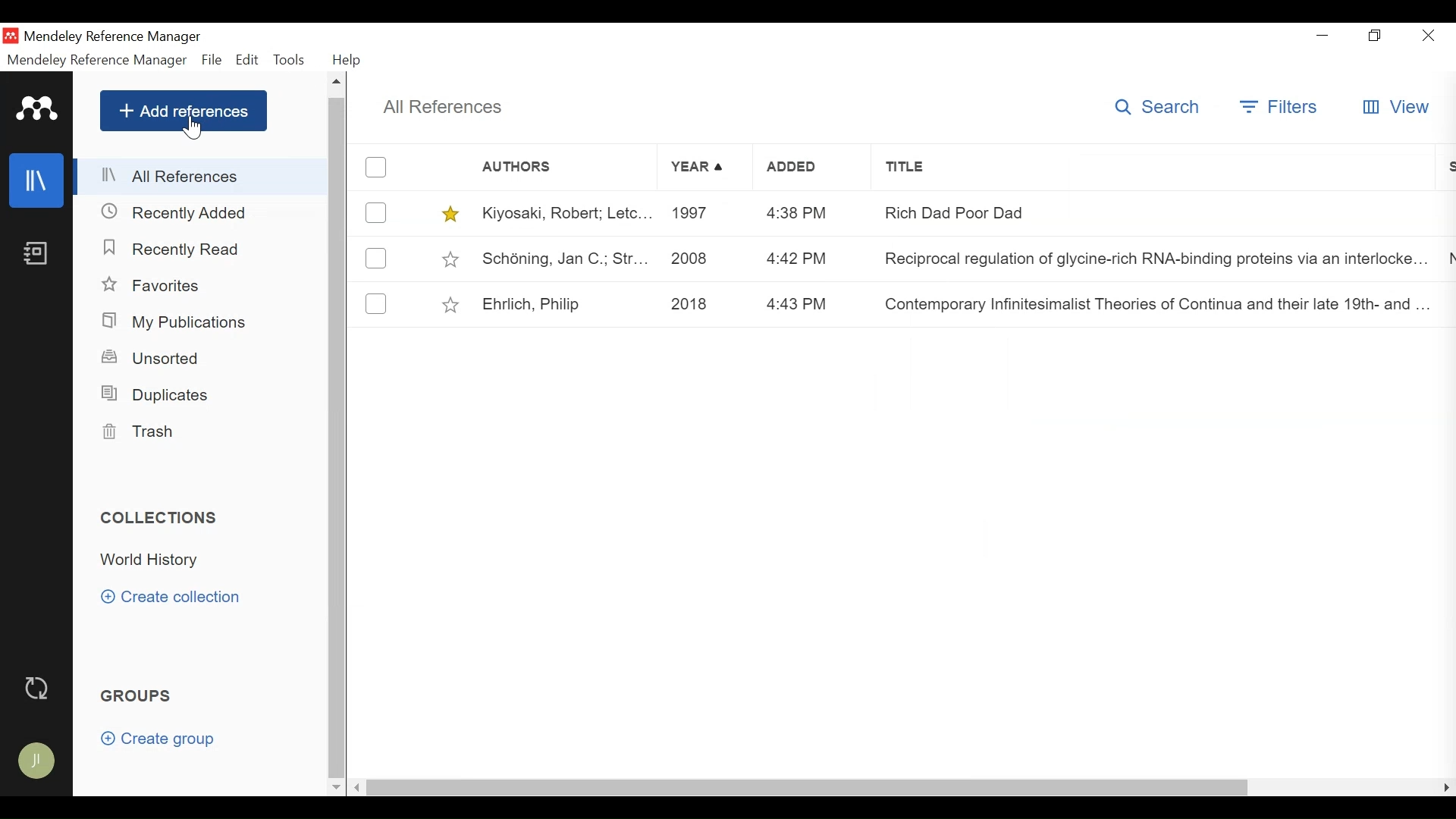 This screenshot has width=1456, height=819. I want to click on 4:42 PM, so click(808, 259).